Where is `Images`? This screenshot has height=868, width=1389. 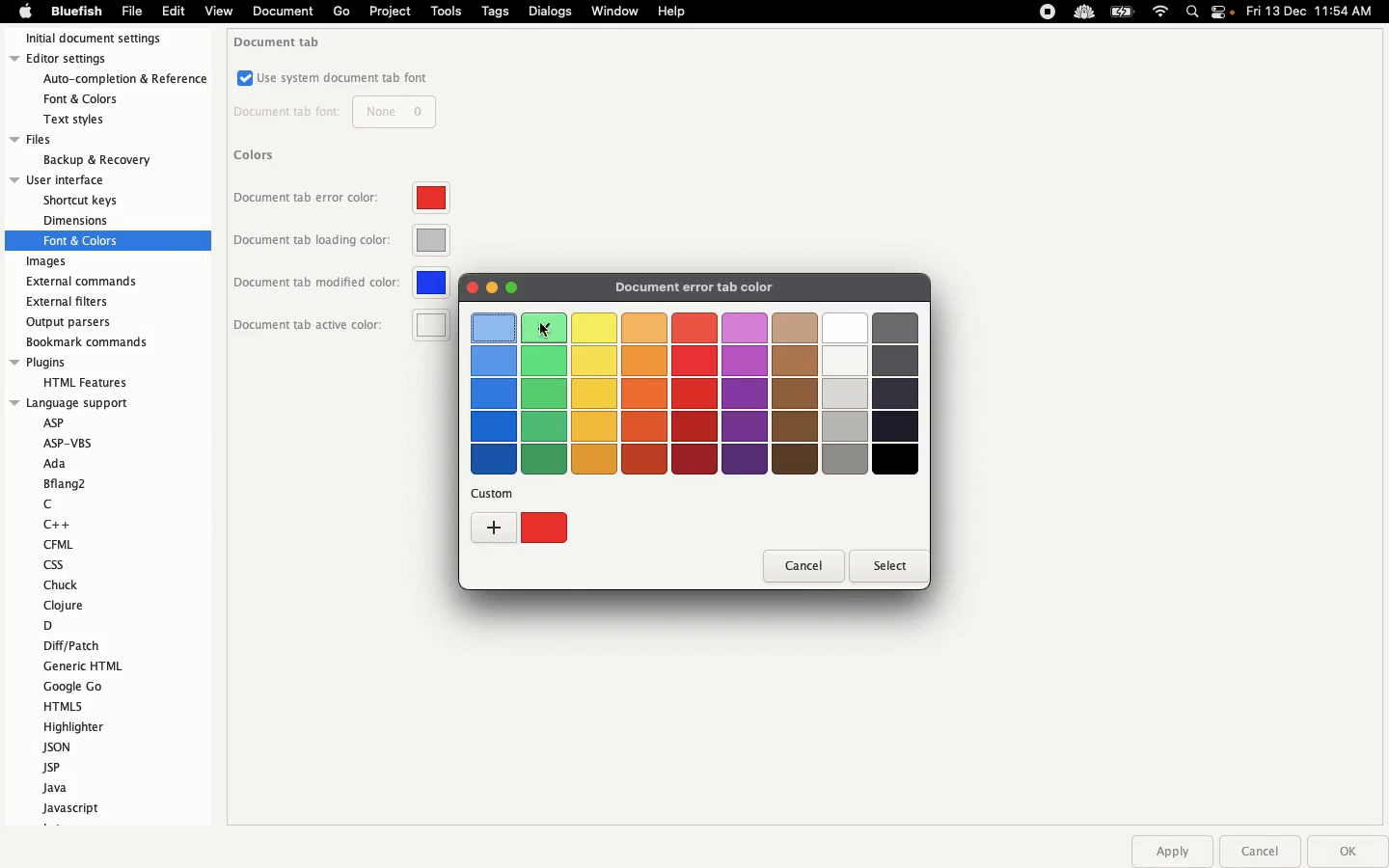
Images is located at coordinates (48, 262).